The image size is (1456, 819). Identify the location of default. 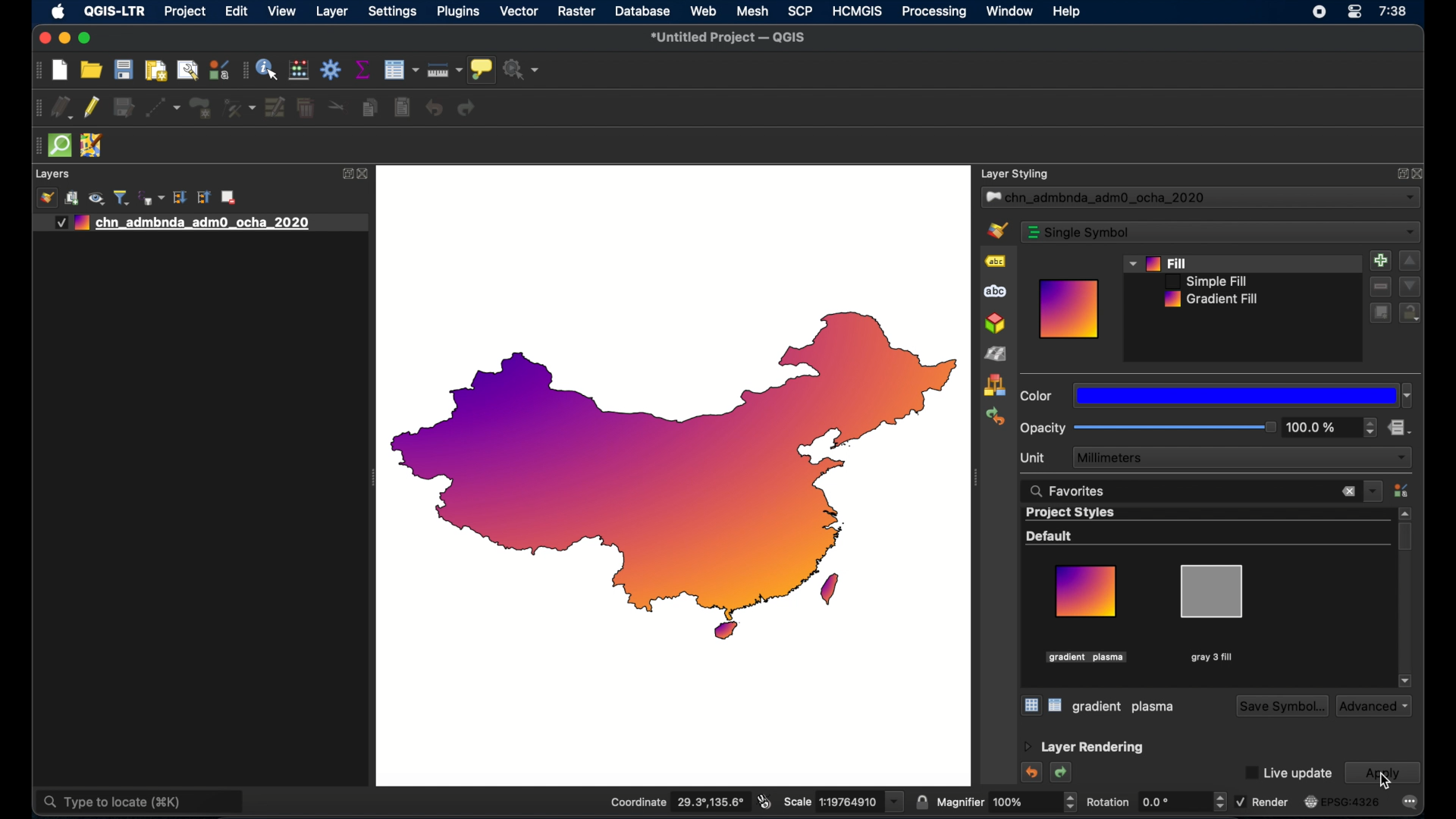
(1050, 536).